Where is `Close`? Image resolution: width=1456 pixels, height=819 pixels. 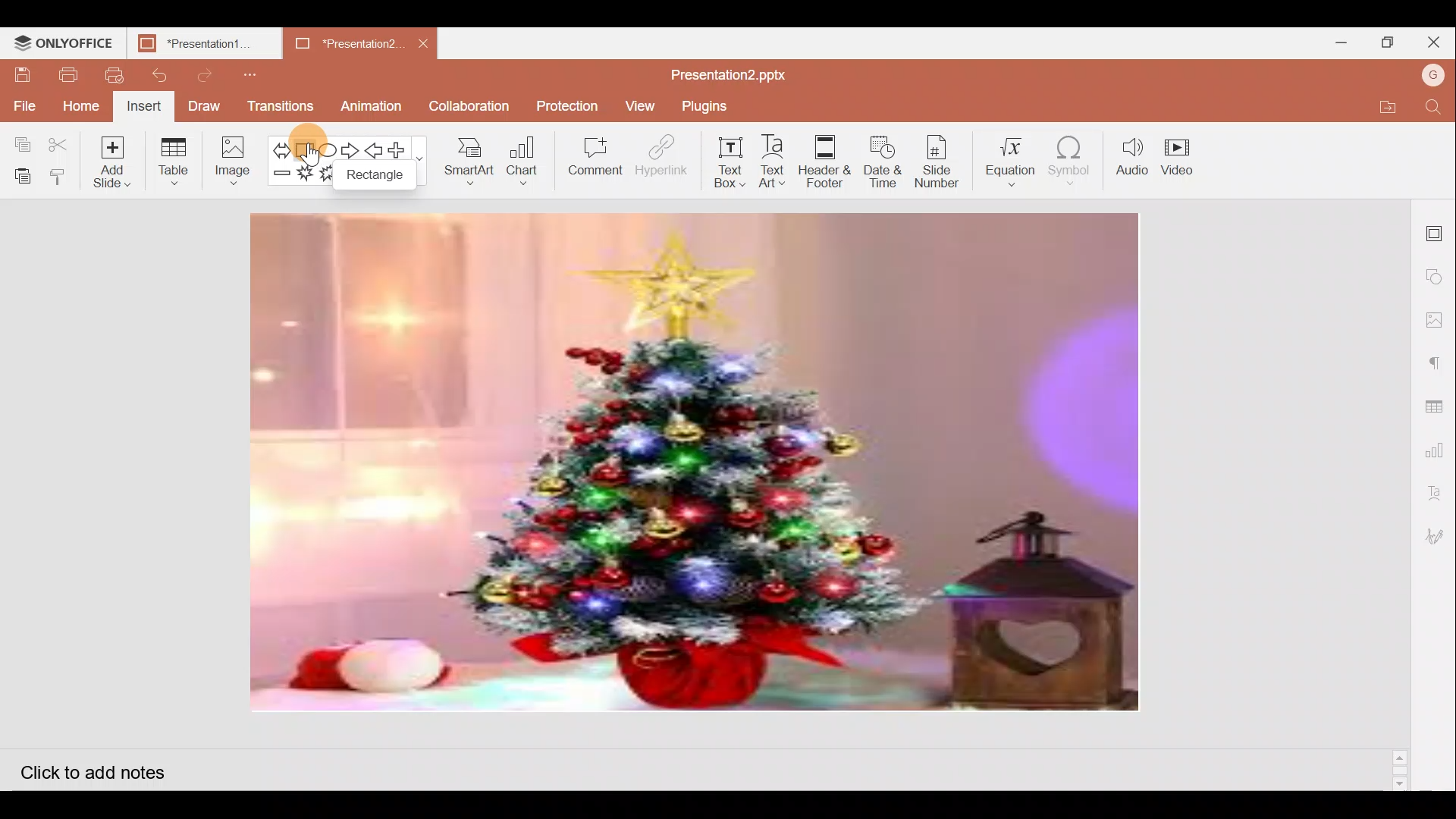
Close is located at coordinates (1434, 41).